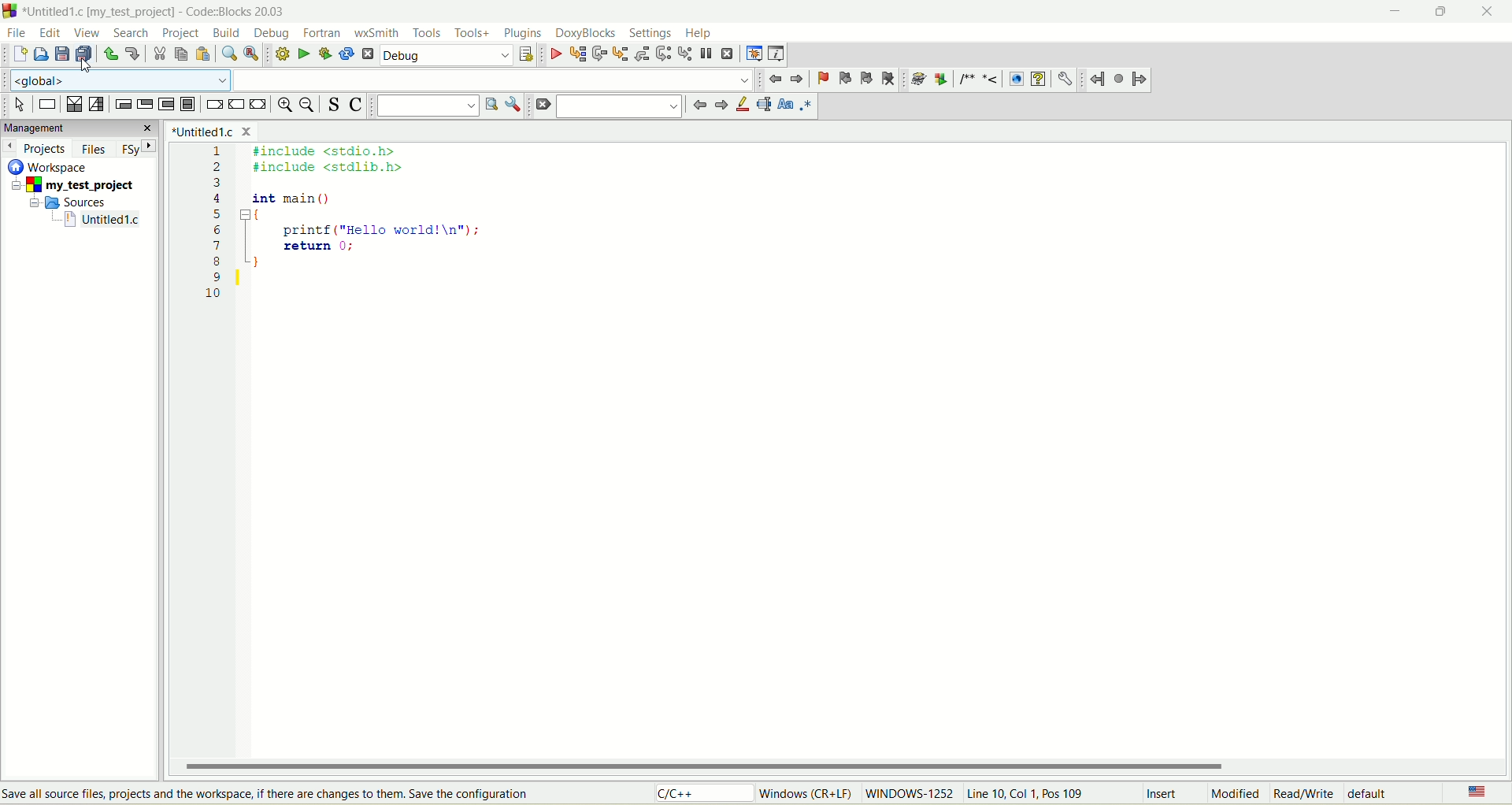 The image size is (1512, 805). Describe the element at coordinates (890, 80) in the screenshot. I see `clear bookmark` at that location.